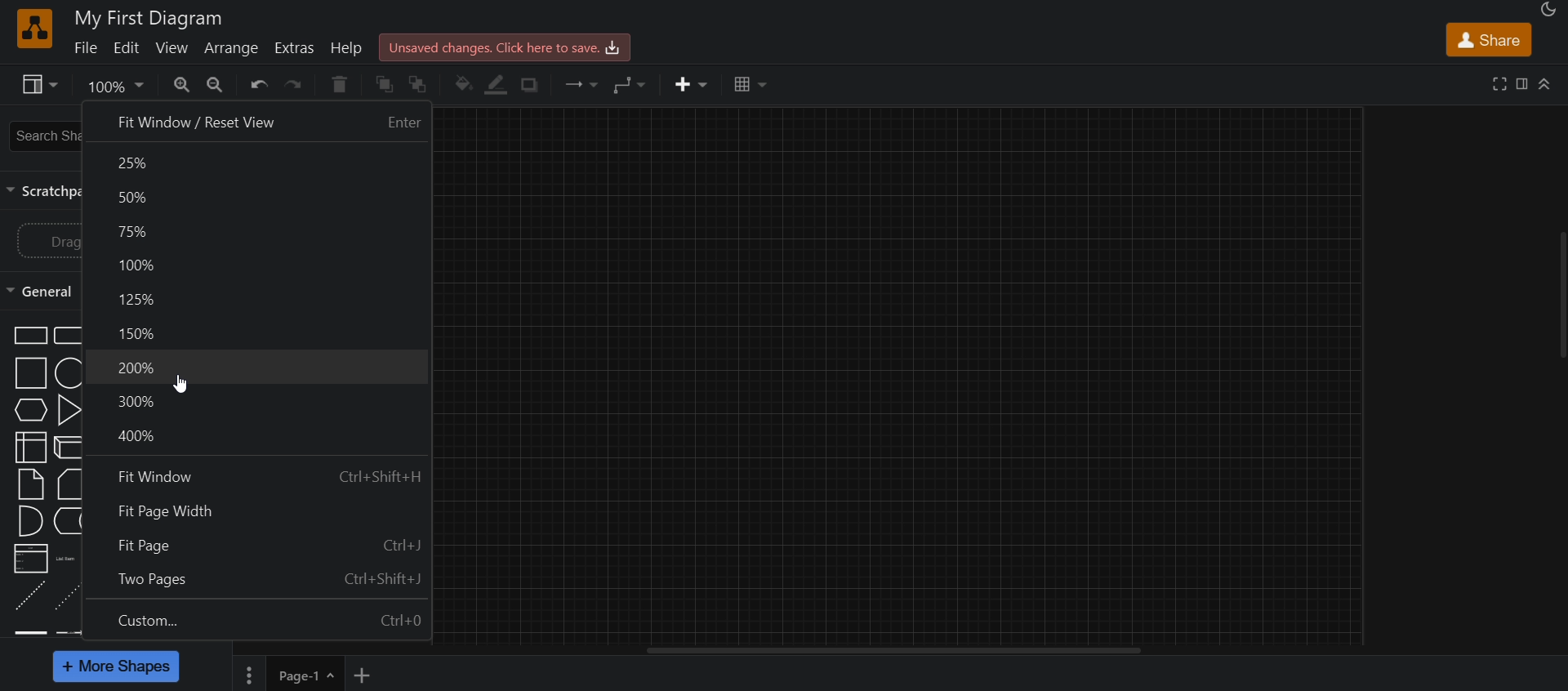 The height and width of the screenshot is (691, 1568). I want to click on title, so click(150, 16).